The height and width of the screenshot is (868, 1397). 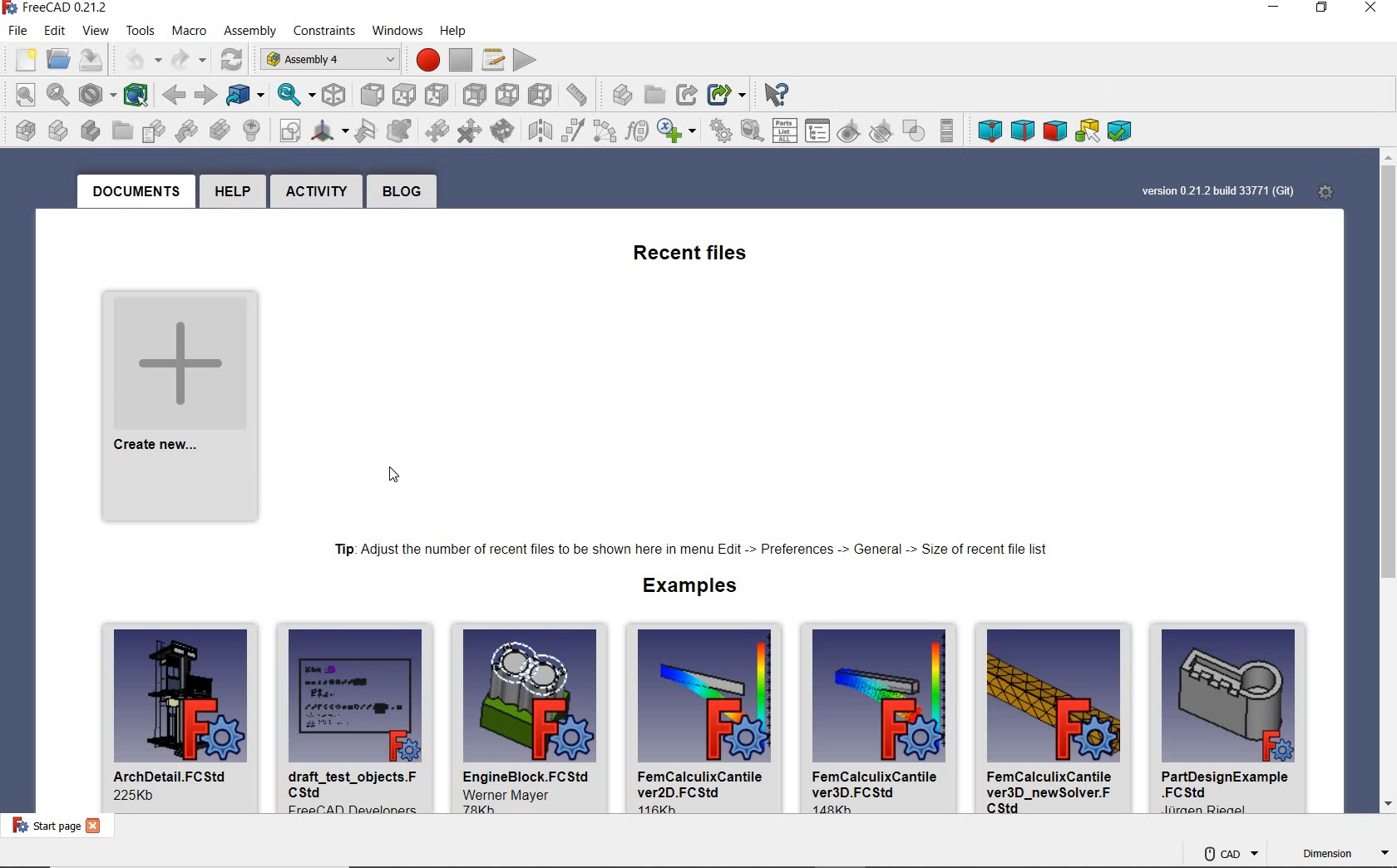 I want to click on isometric, so click(x=334, y=97).